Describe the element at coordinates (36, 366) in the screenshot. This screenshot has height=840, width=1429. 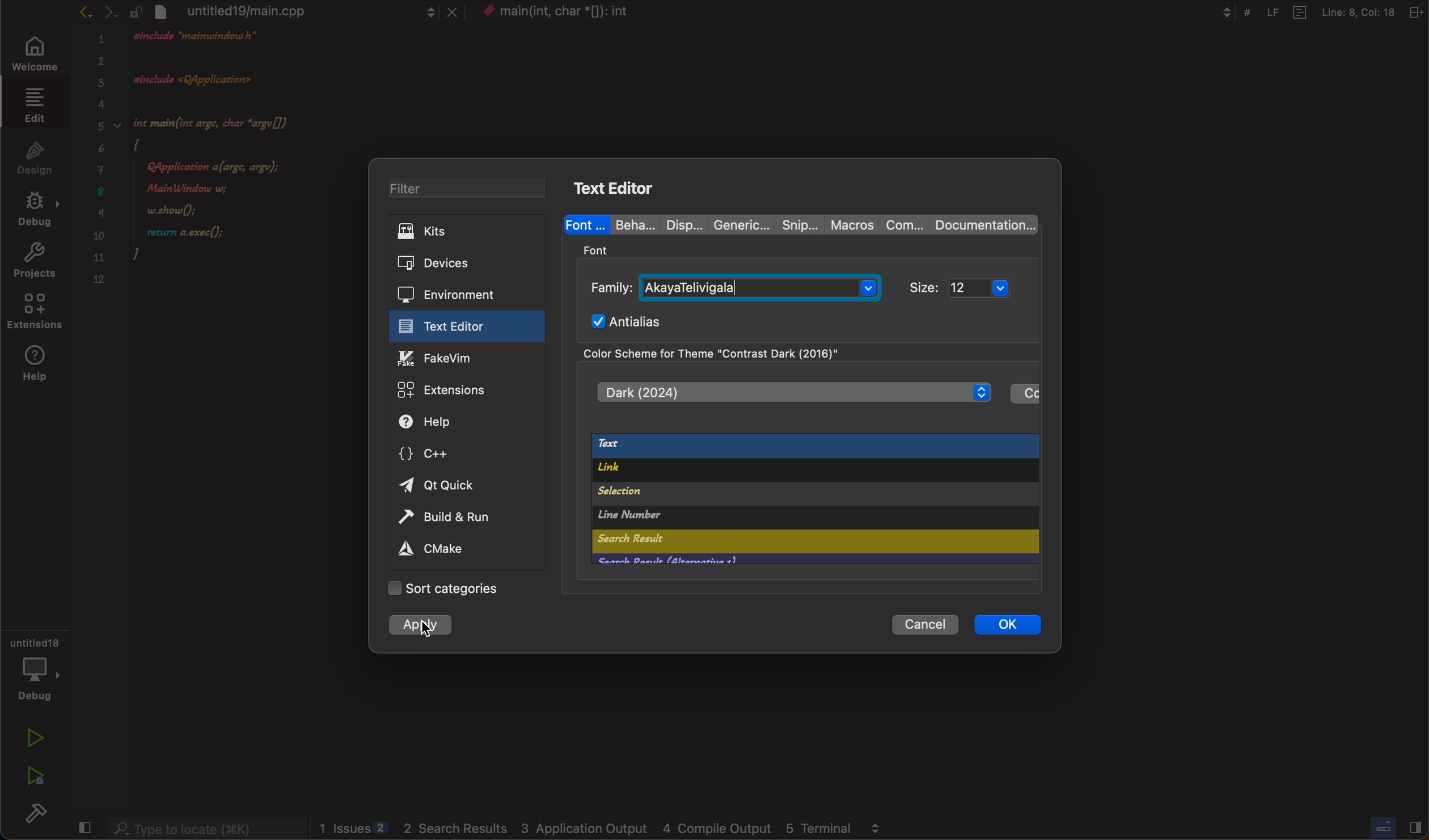
I see `help` at that location.